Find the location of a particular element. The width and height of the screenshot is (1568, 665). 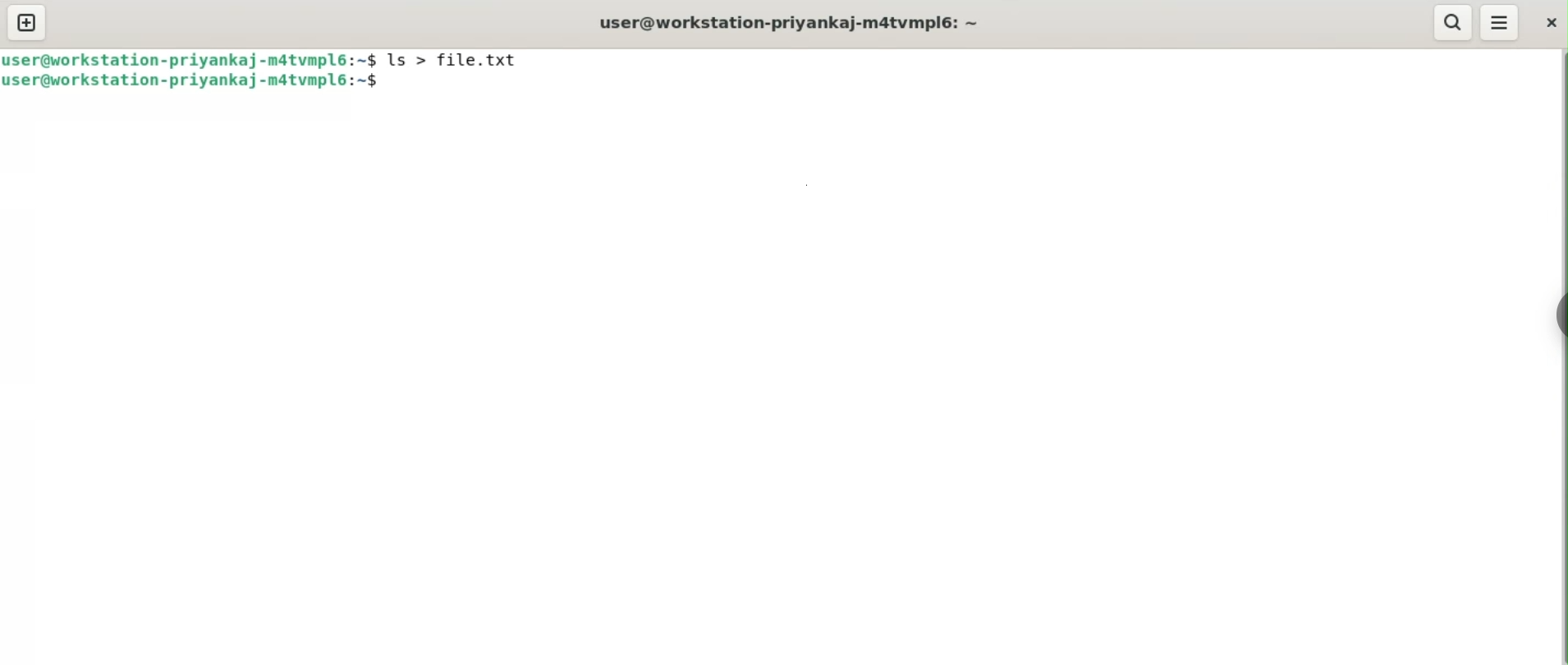

ls > file.txt is located at coordinates (463, 62).